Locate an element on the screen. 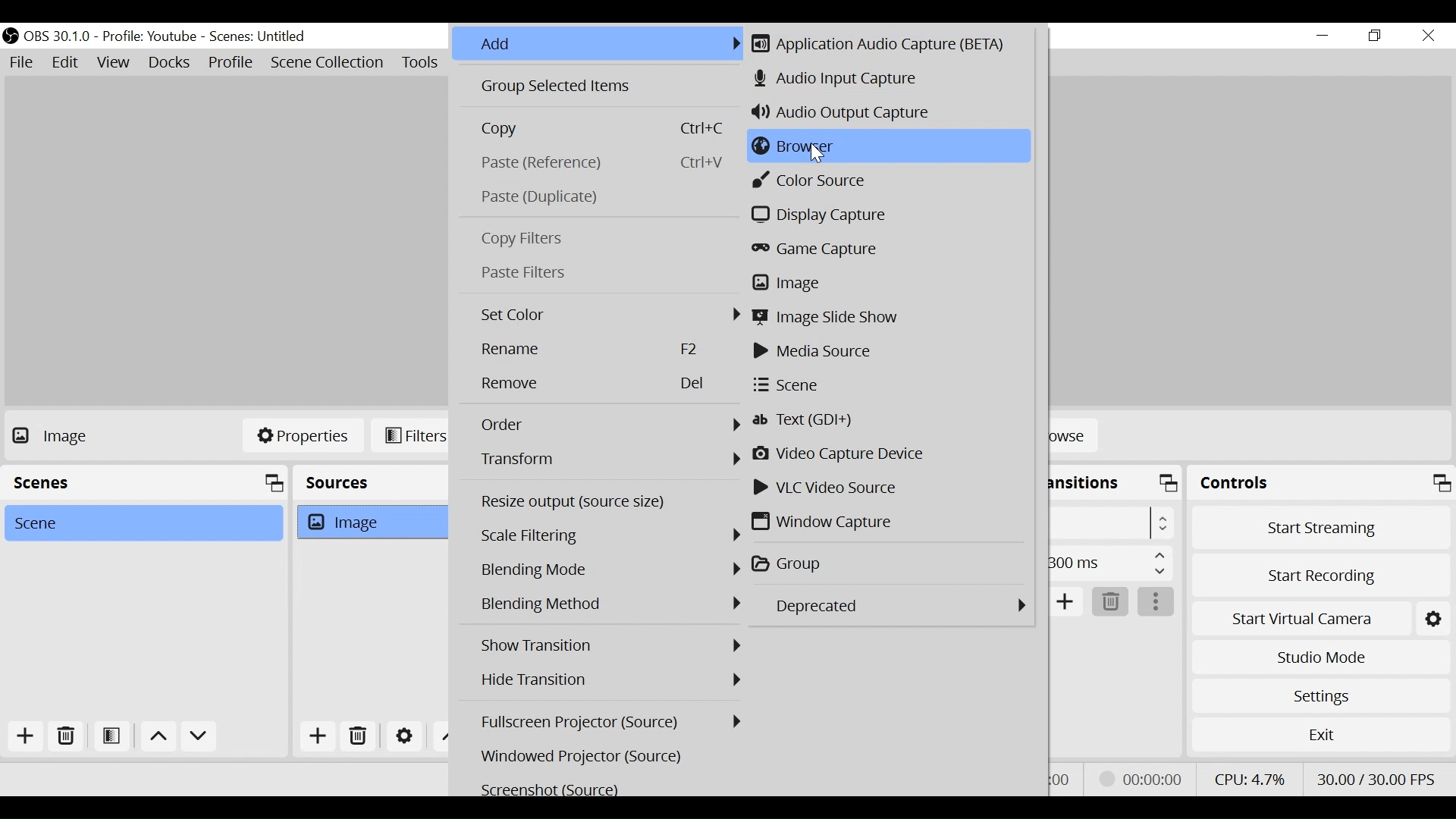 Image resolution: width=1456 pixels, height=819 pixels. Scene Collection is located at coordinates (327, 65).